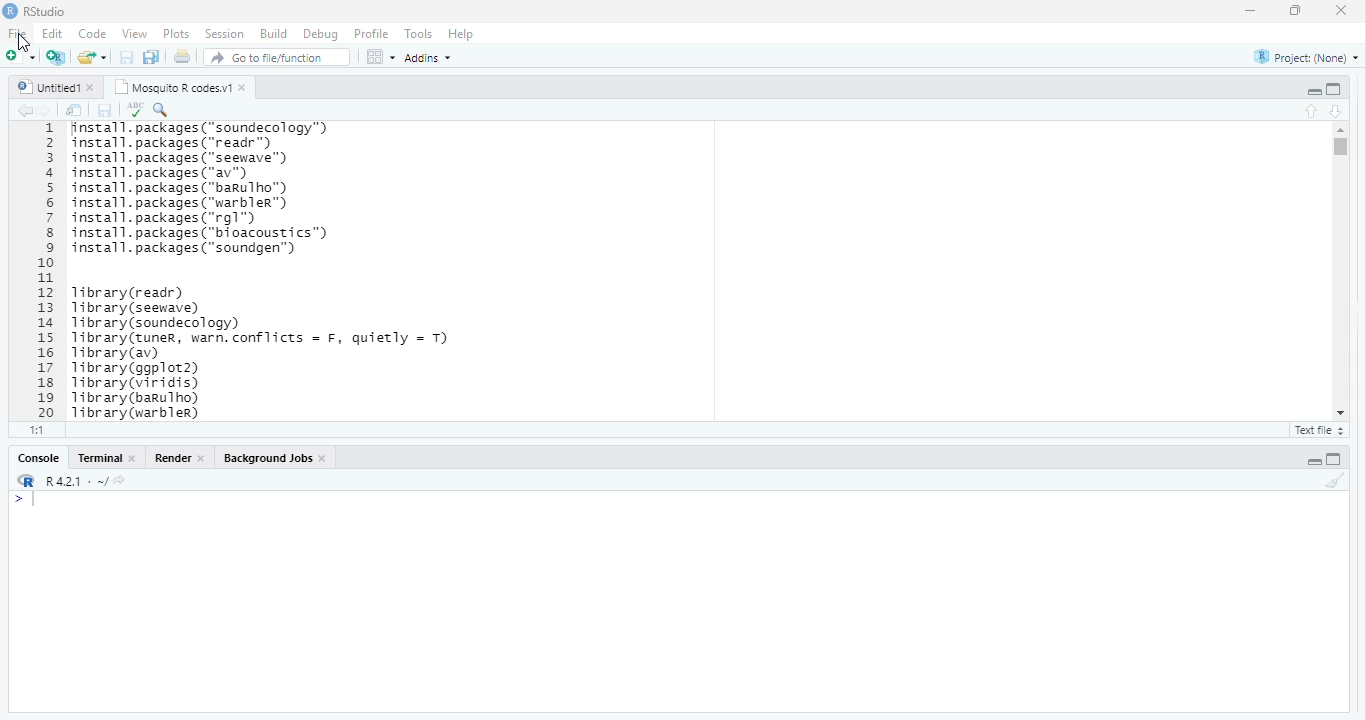 This screenshot has height=720, width=1366. What do you see at coordinates (11, 10) in the screenshot?
I see `logo` at bounding box center [11, 10].